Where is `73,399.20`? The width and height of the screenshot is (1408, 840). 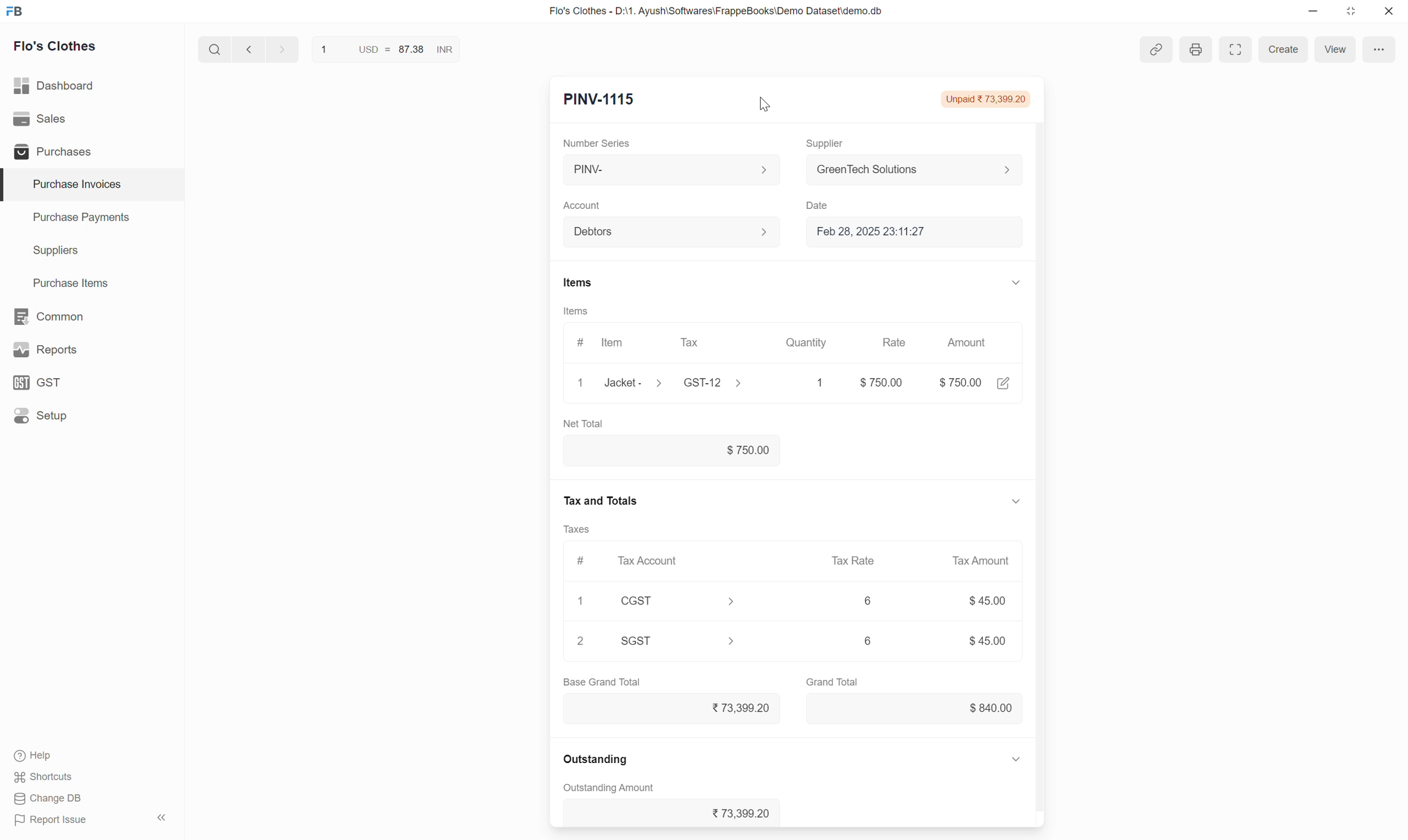
73,399.20 is located at coordinates (671, 710).